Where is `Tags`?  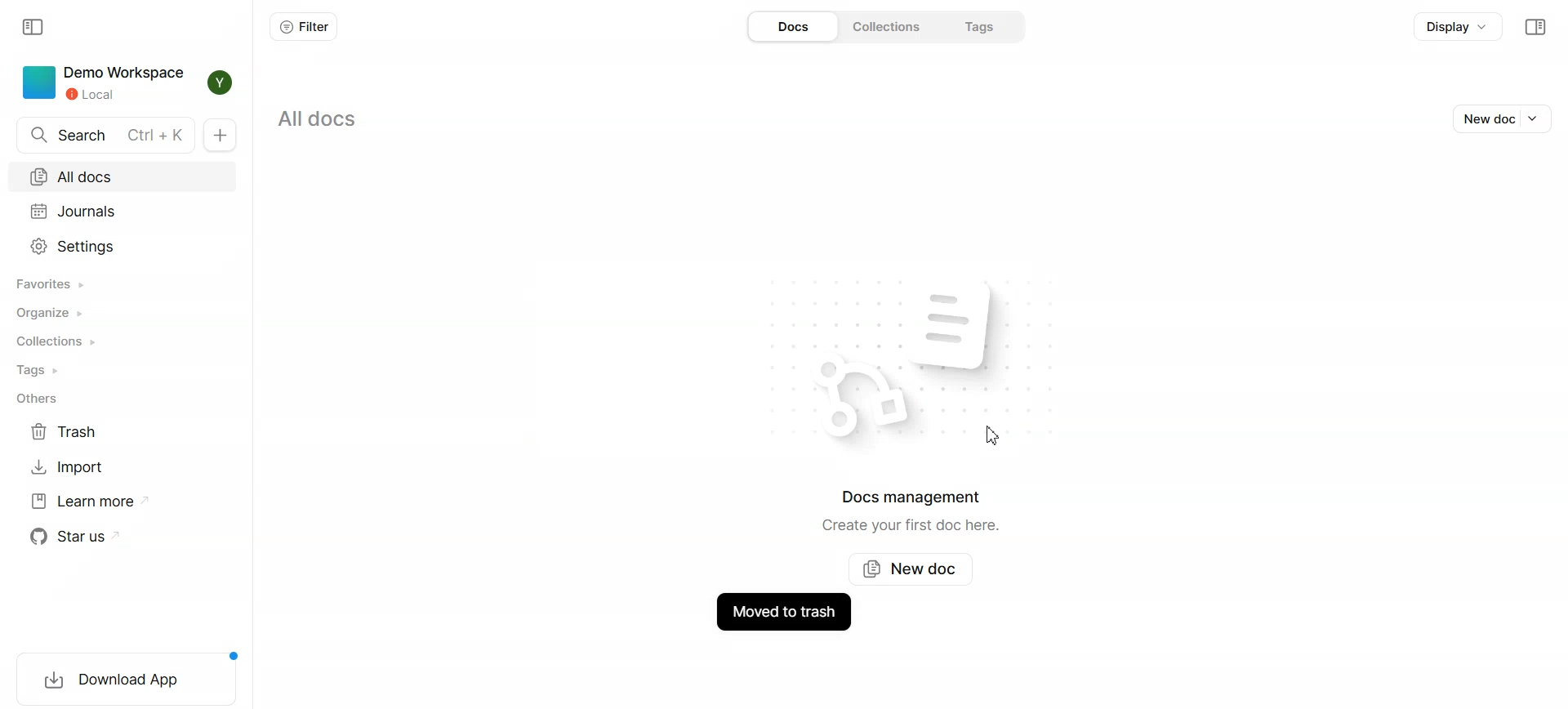 Tags is located at coordinates (122, 371).